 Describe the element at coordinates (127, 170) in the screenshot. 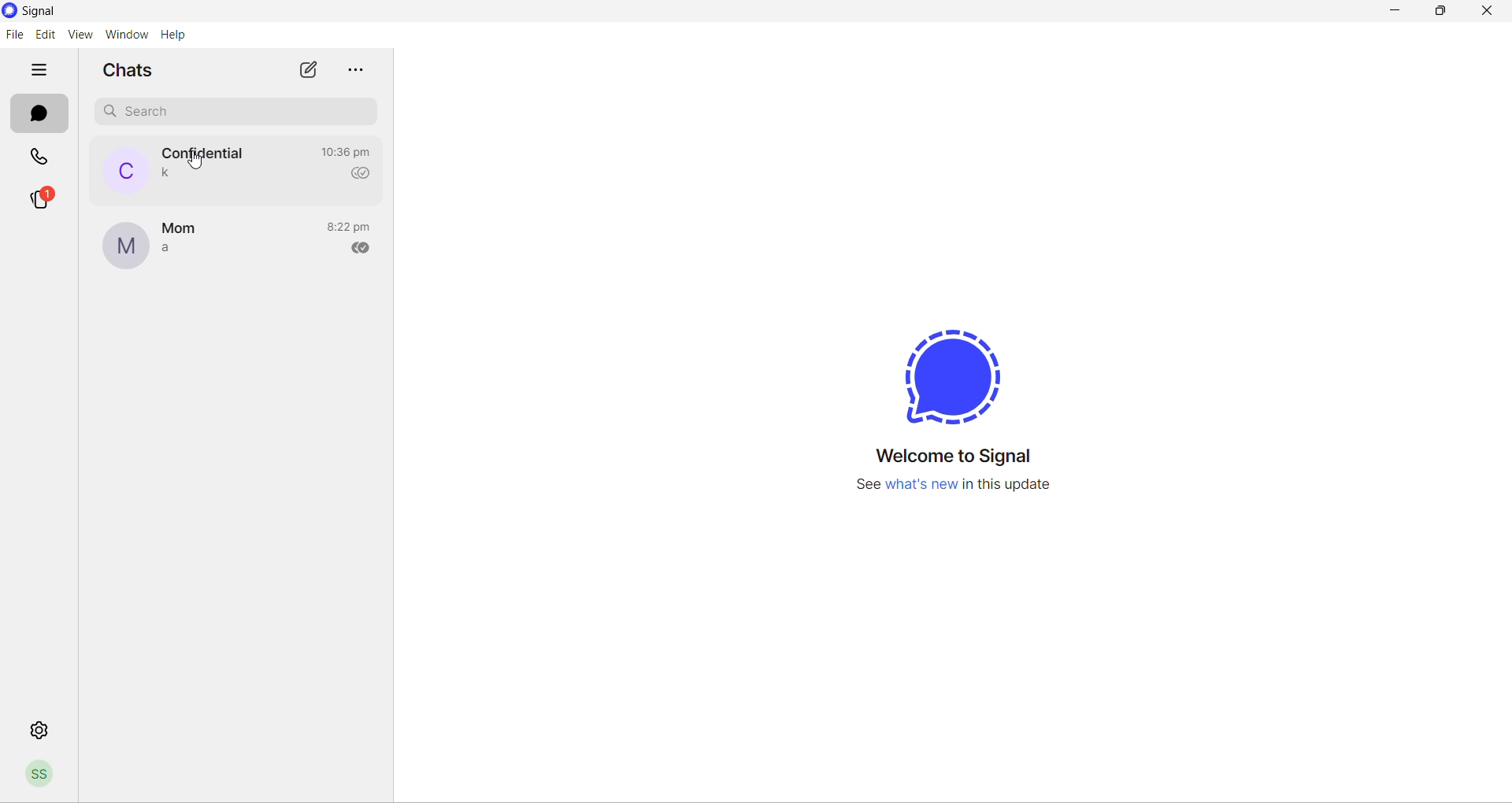

I see `profile picture` at that location.